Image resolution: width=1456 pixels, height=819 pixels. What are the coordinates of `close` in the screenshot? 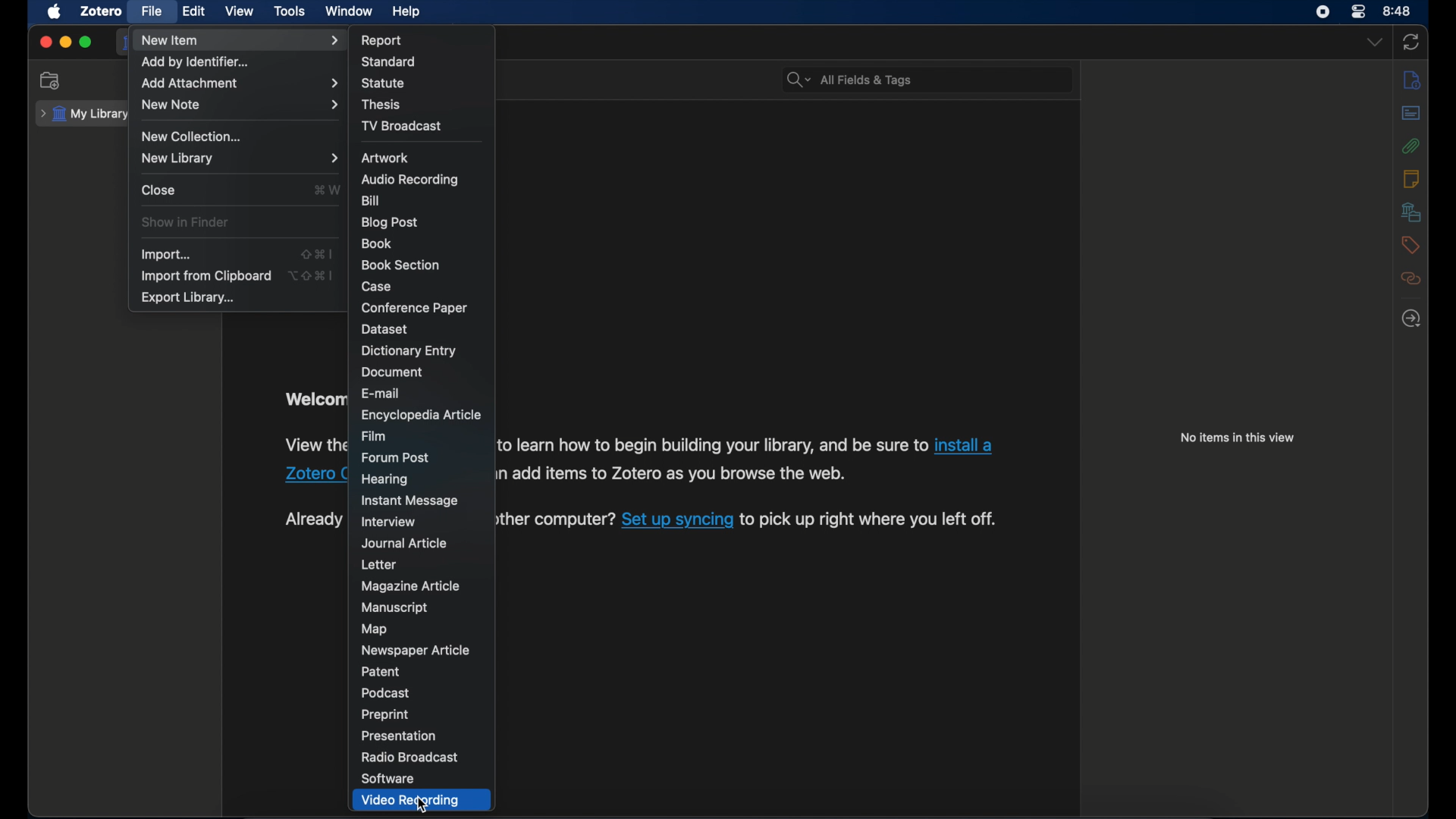 It's located at (159, 189).